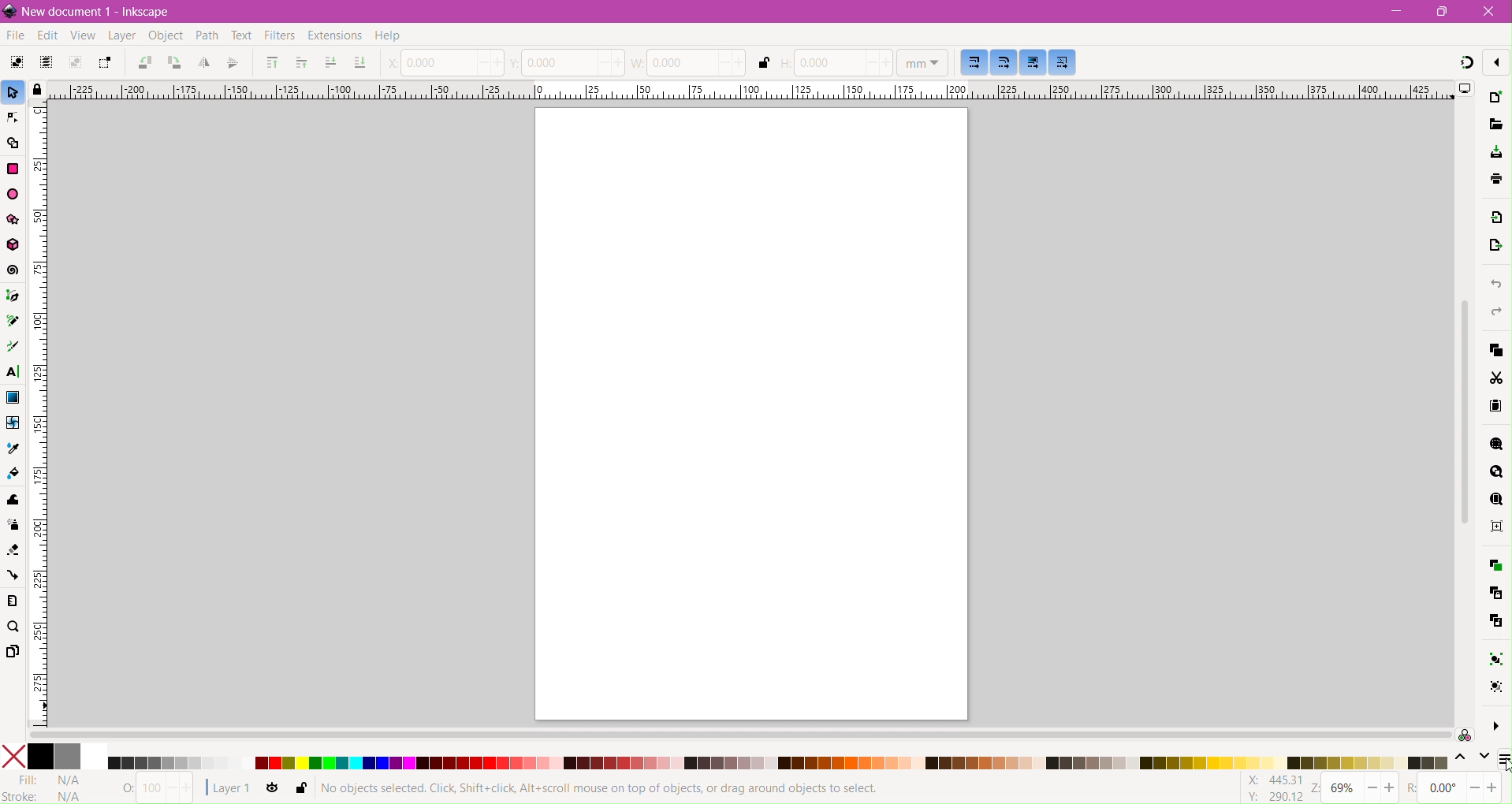  Describe the element at coordinates (1004, 61) in the screenshot. I see `When scaling rectangles, scale the radii of rounded corners` at that location.